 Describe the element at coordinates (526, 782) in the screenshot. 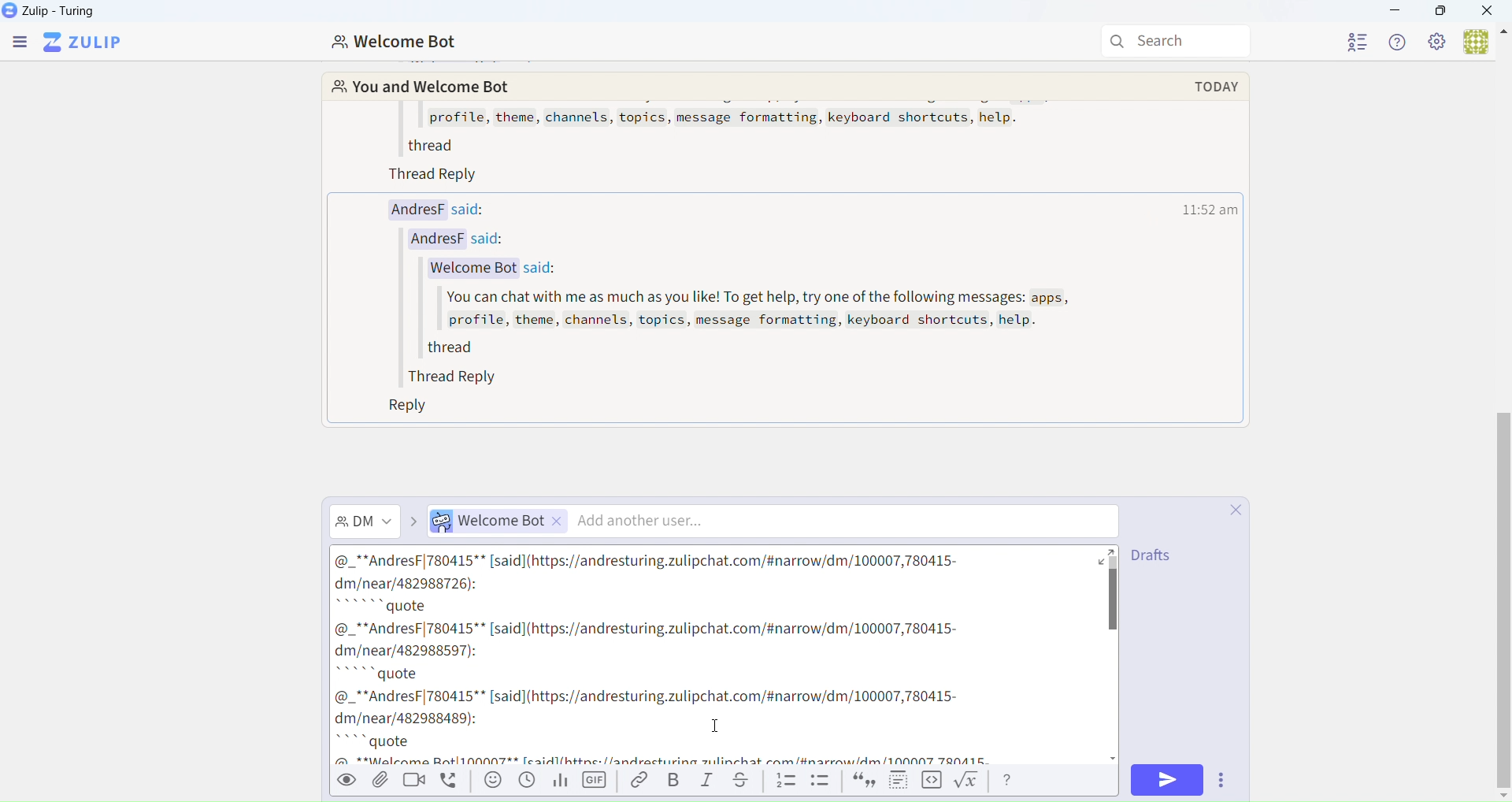

I see `Schedule` at that location.